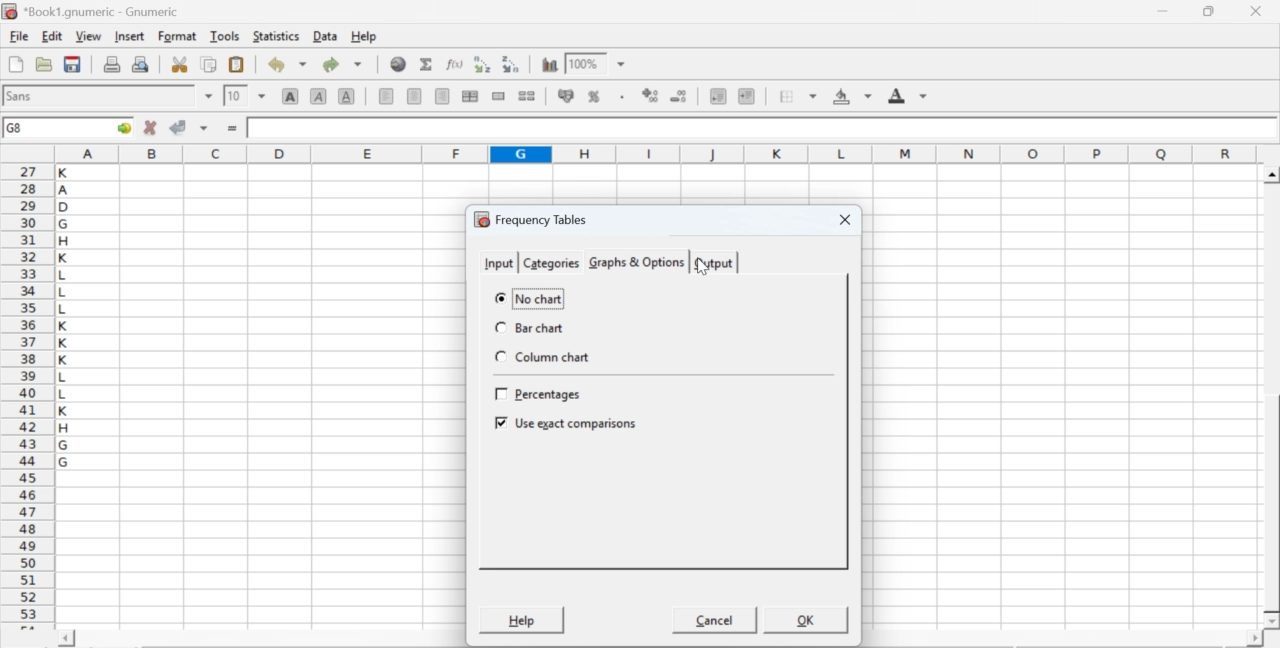  I want to click on insert, so click(128, 35).